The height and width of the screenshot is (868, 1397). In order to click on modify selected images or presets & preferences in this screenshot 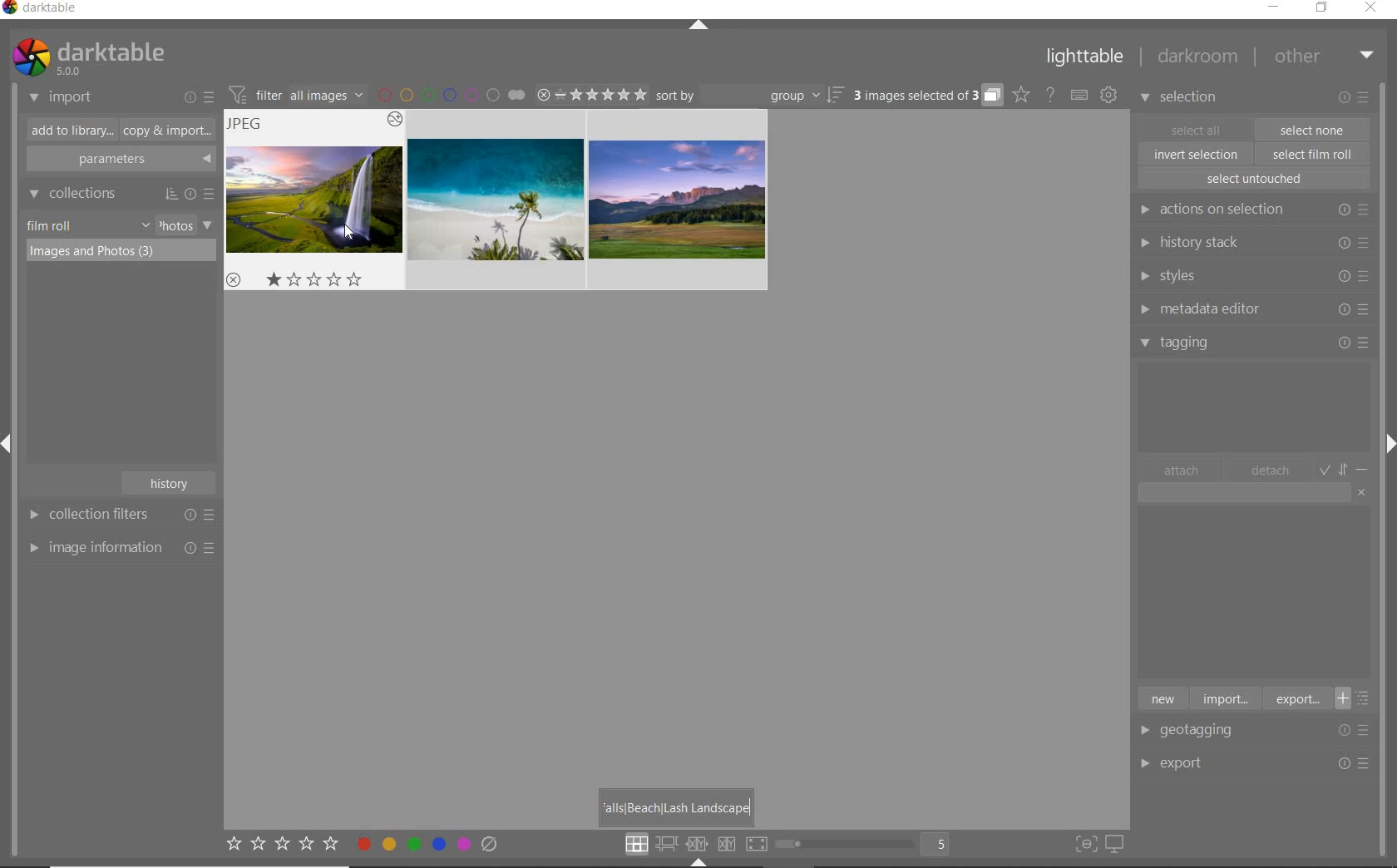, I will do `click(1356, 98)`.